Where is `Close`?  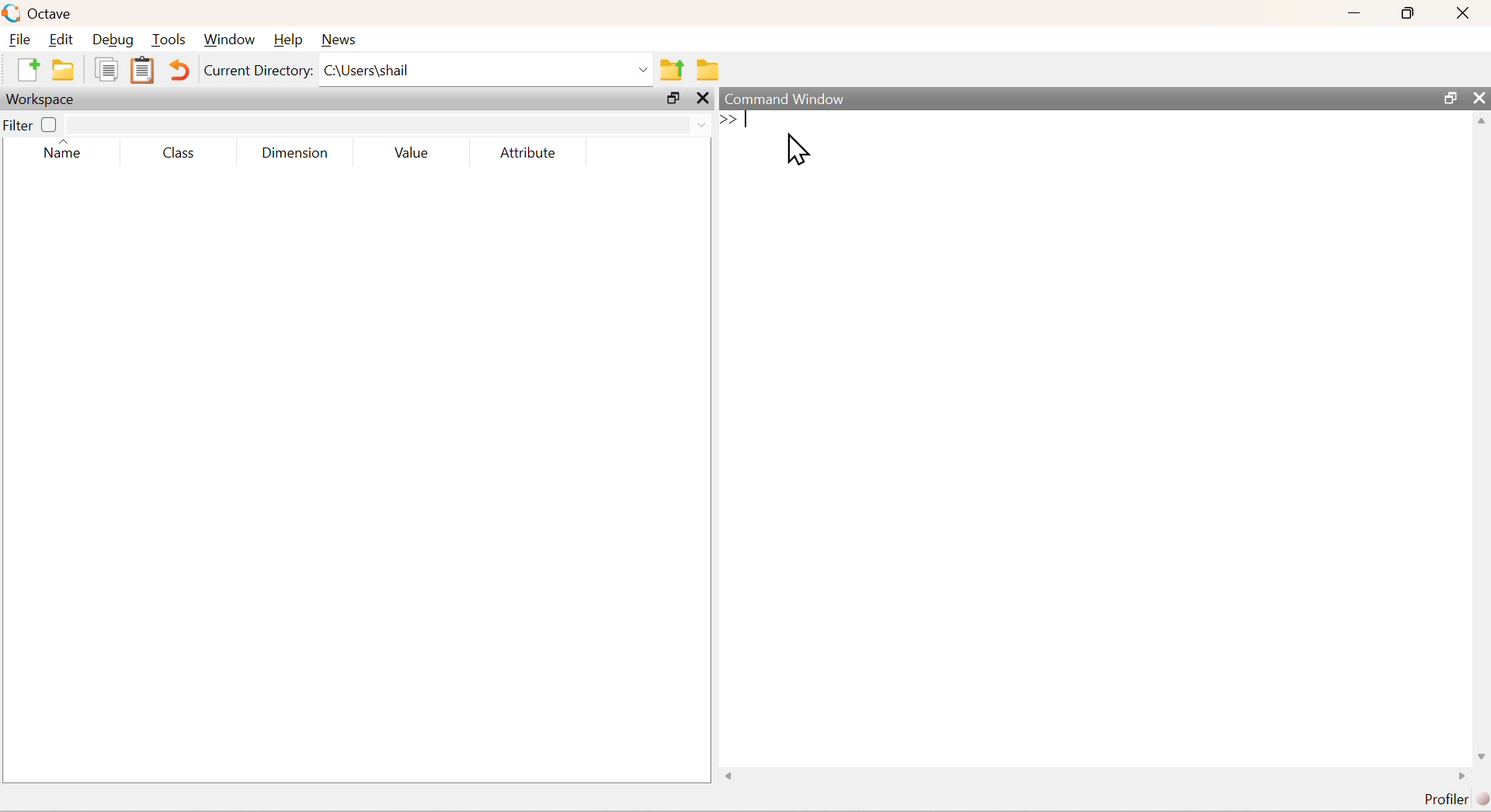
Close is located at coordinates (1480, 99).